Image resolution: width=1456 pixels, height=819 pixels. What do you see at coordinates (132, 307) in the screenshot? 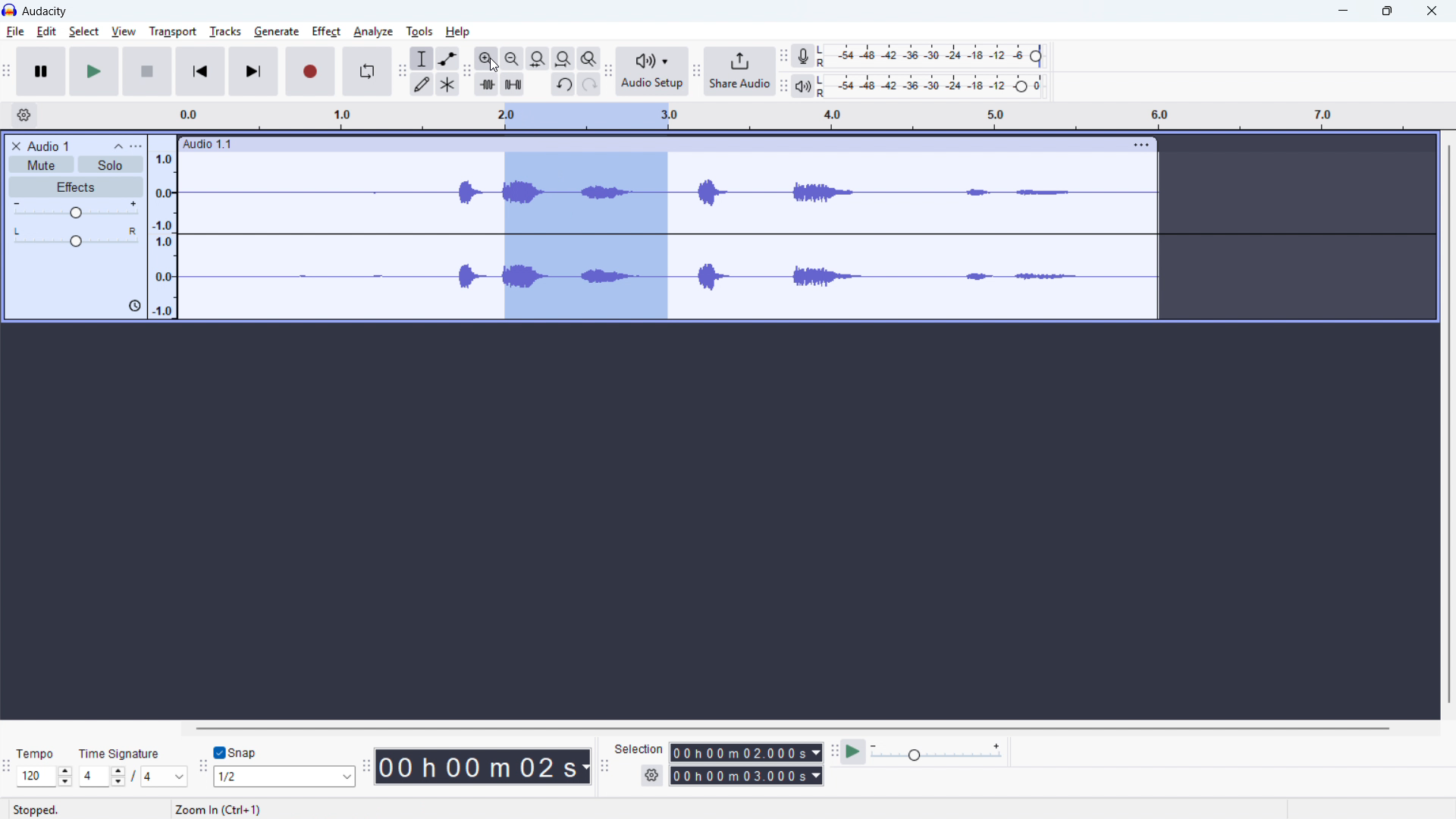
I see `icon` at bounding box center [132, 307].